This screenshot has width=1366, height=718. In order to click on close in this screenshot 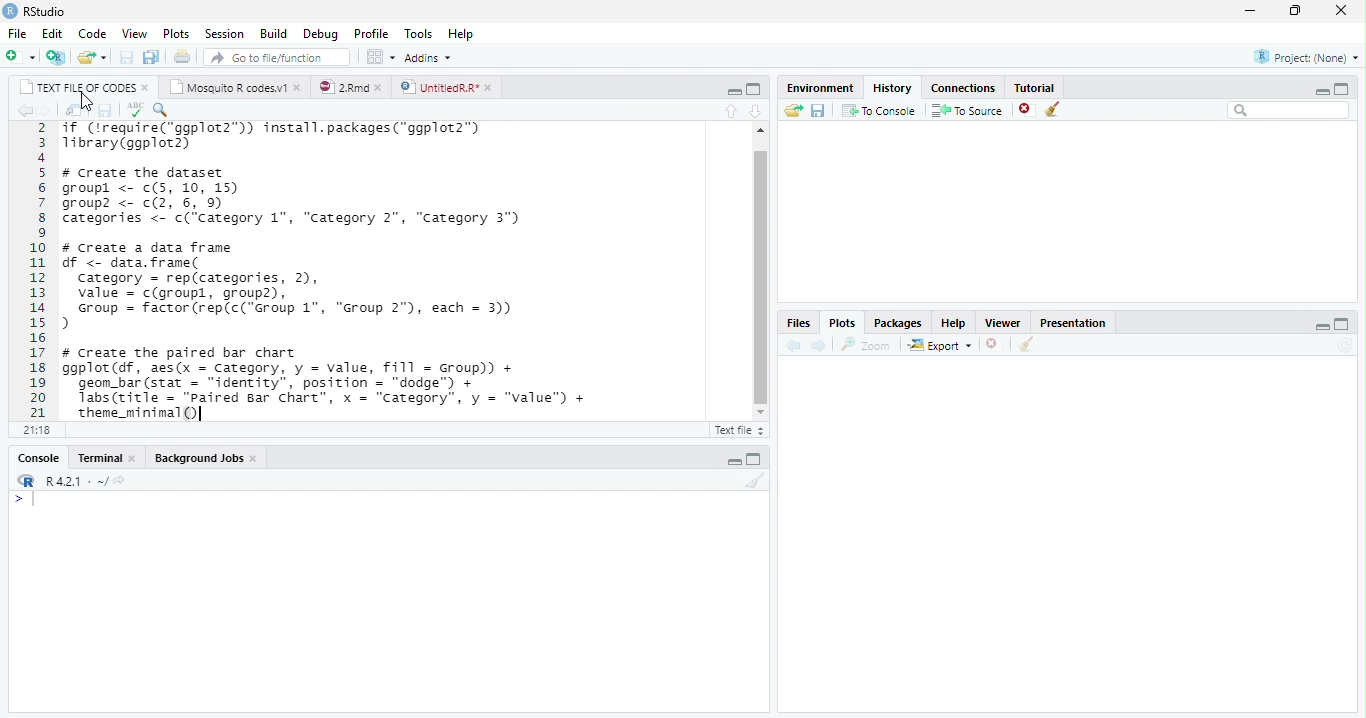, I will do `click(146, 89)`.